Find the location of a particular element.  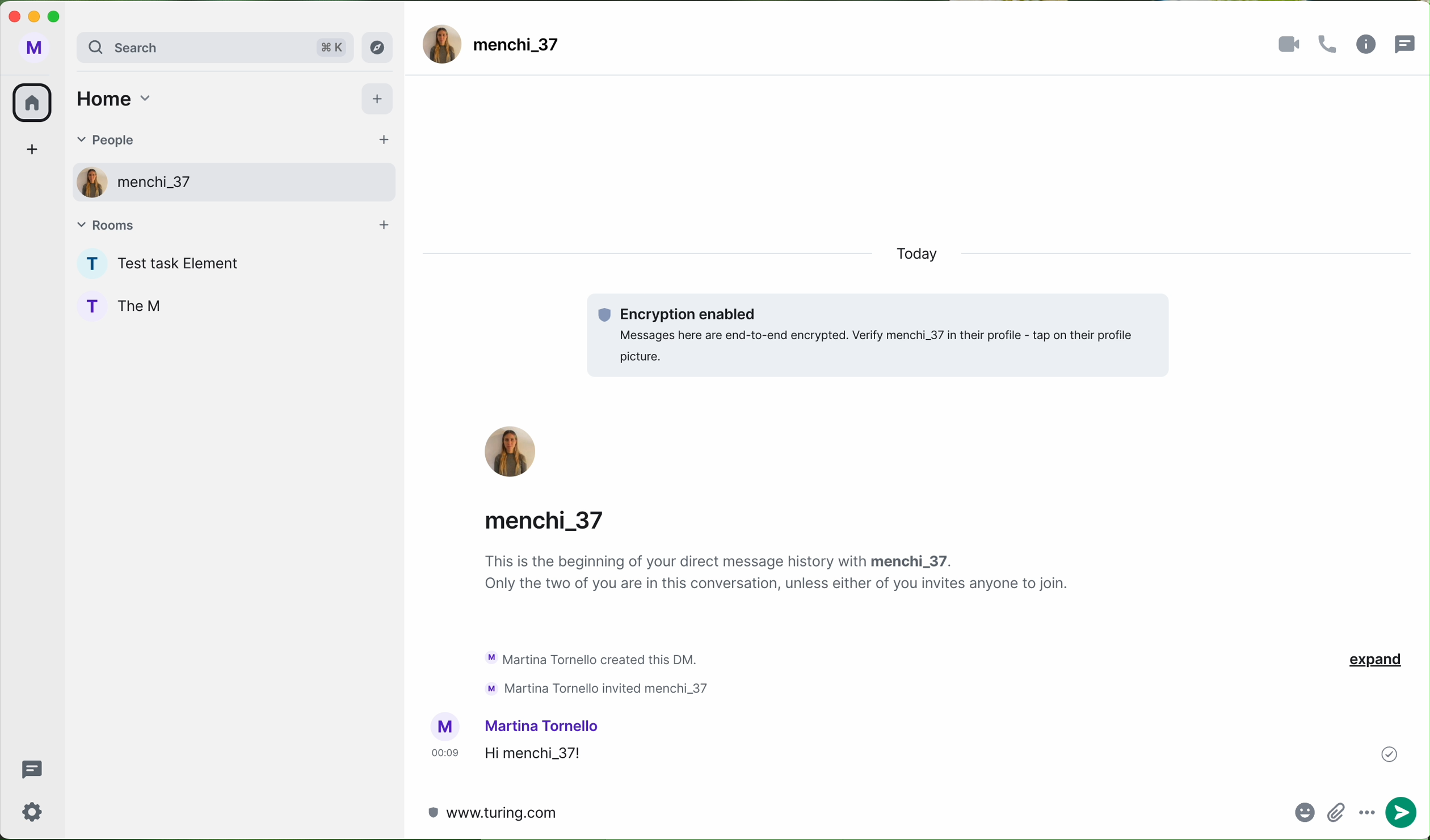

profile image is located at coordinates (442, 44).